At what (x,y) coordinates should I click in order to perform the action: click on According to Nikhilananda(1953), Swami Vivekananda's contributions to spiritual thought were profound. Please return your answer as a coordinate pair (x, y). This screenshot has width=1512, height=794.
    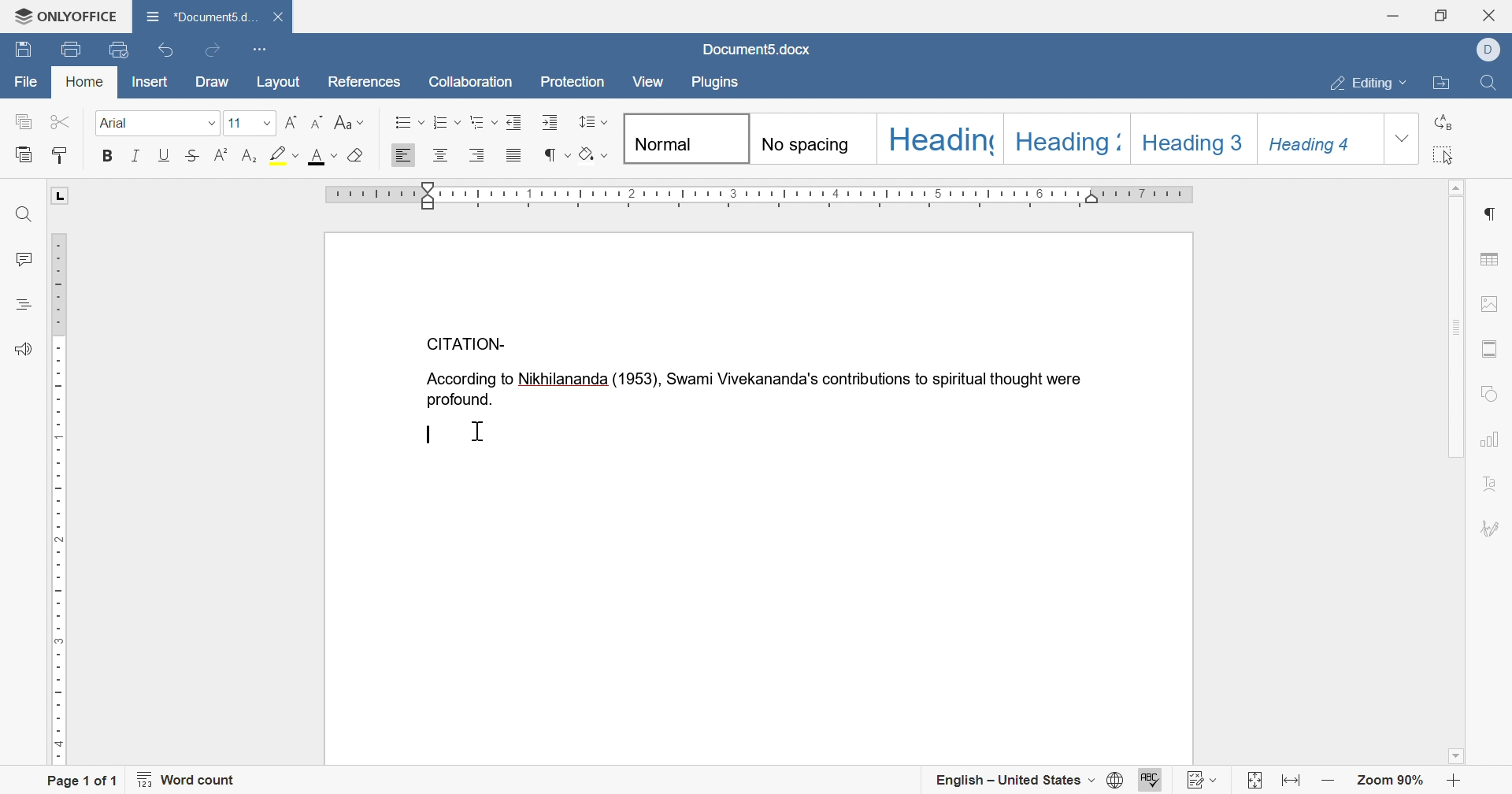
    Looking at the image, I should click on (755, 390).